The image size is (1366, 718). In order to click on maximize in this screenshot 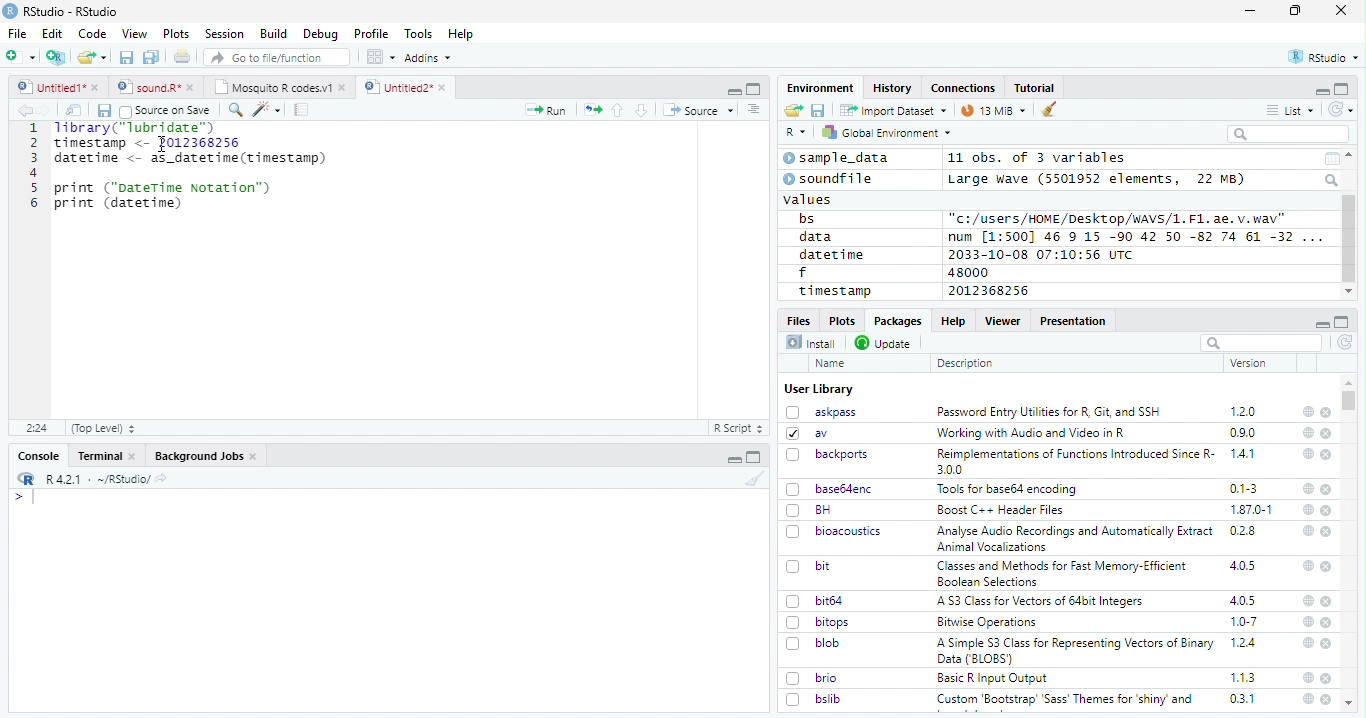, I will do `click(1295, 11)`.